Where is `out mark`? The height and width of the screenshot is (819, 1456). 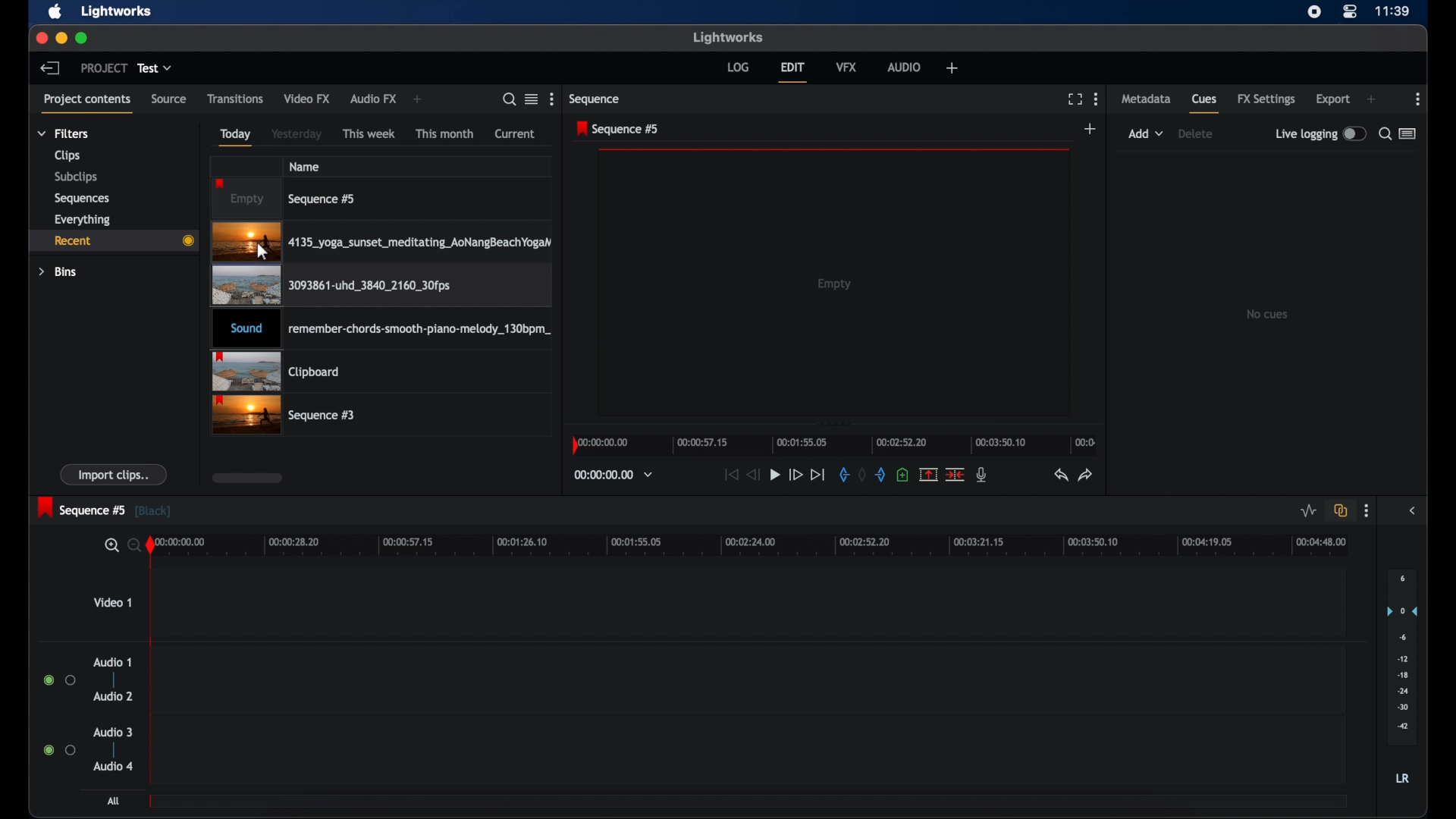
out mark is located at coordinates (883, 475).